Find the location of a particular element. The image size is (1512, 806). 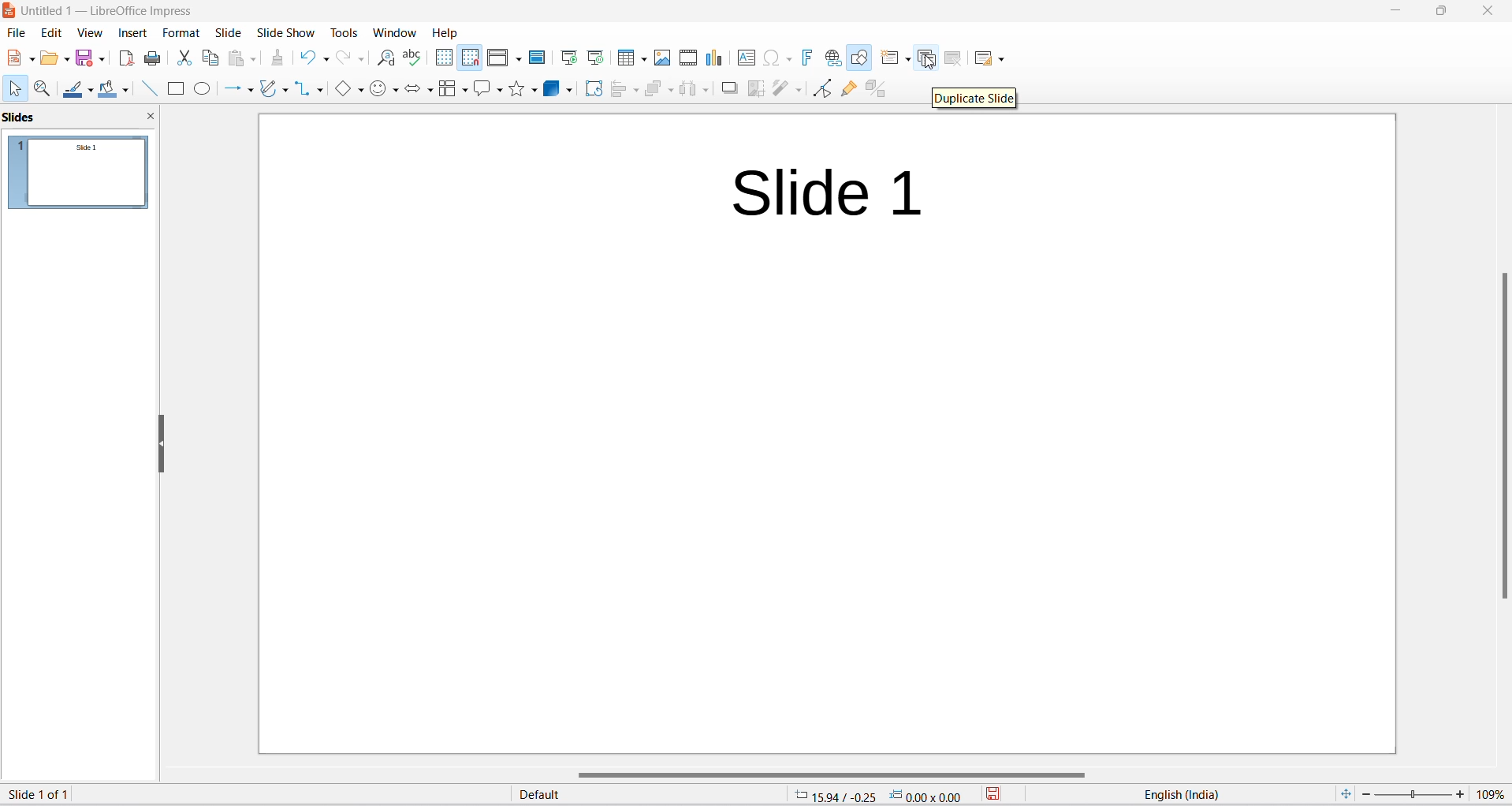

Side pane is located at coordinates (68, 117).